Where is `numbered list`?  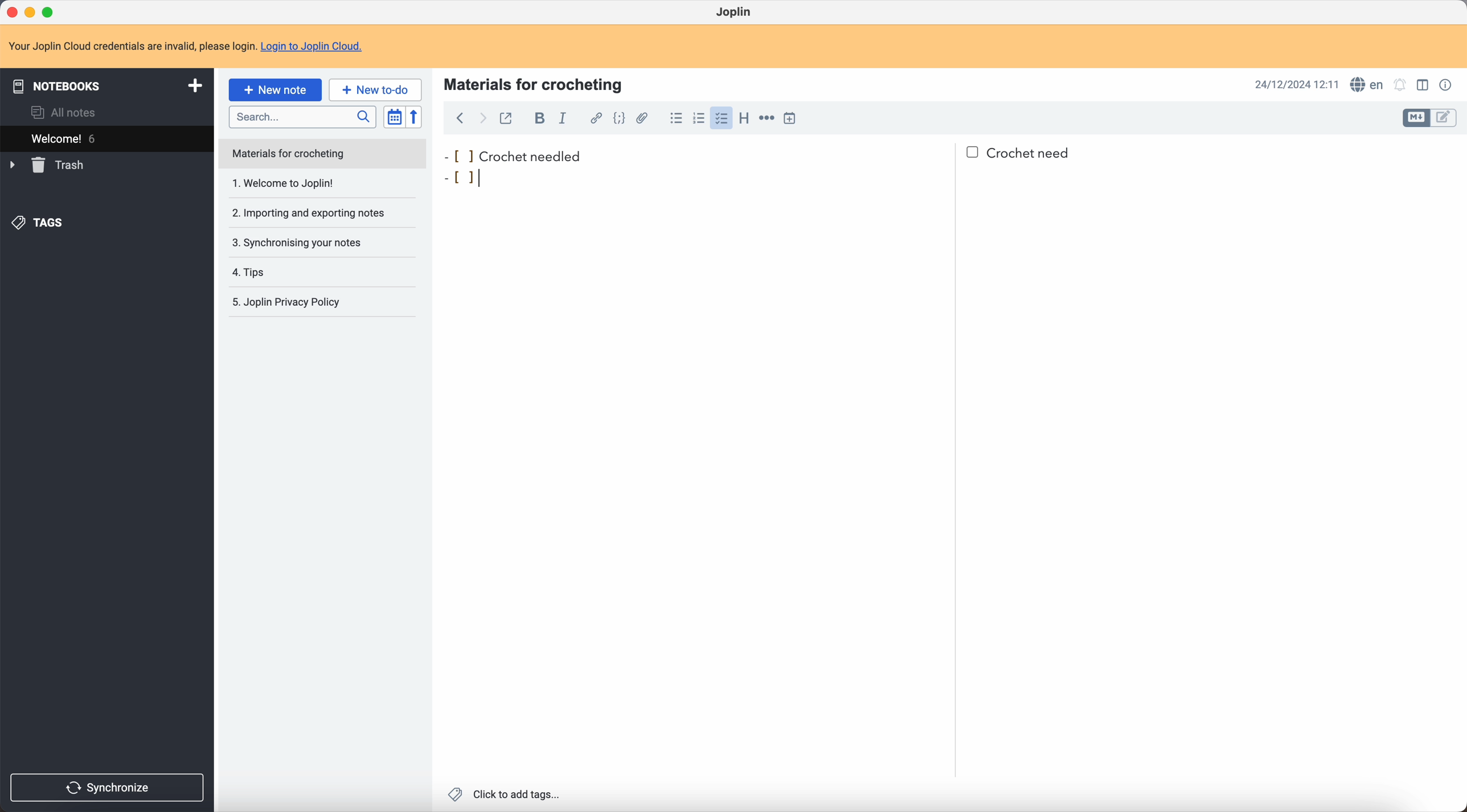 numbered list is located at coordinates (698, 118).